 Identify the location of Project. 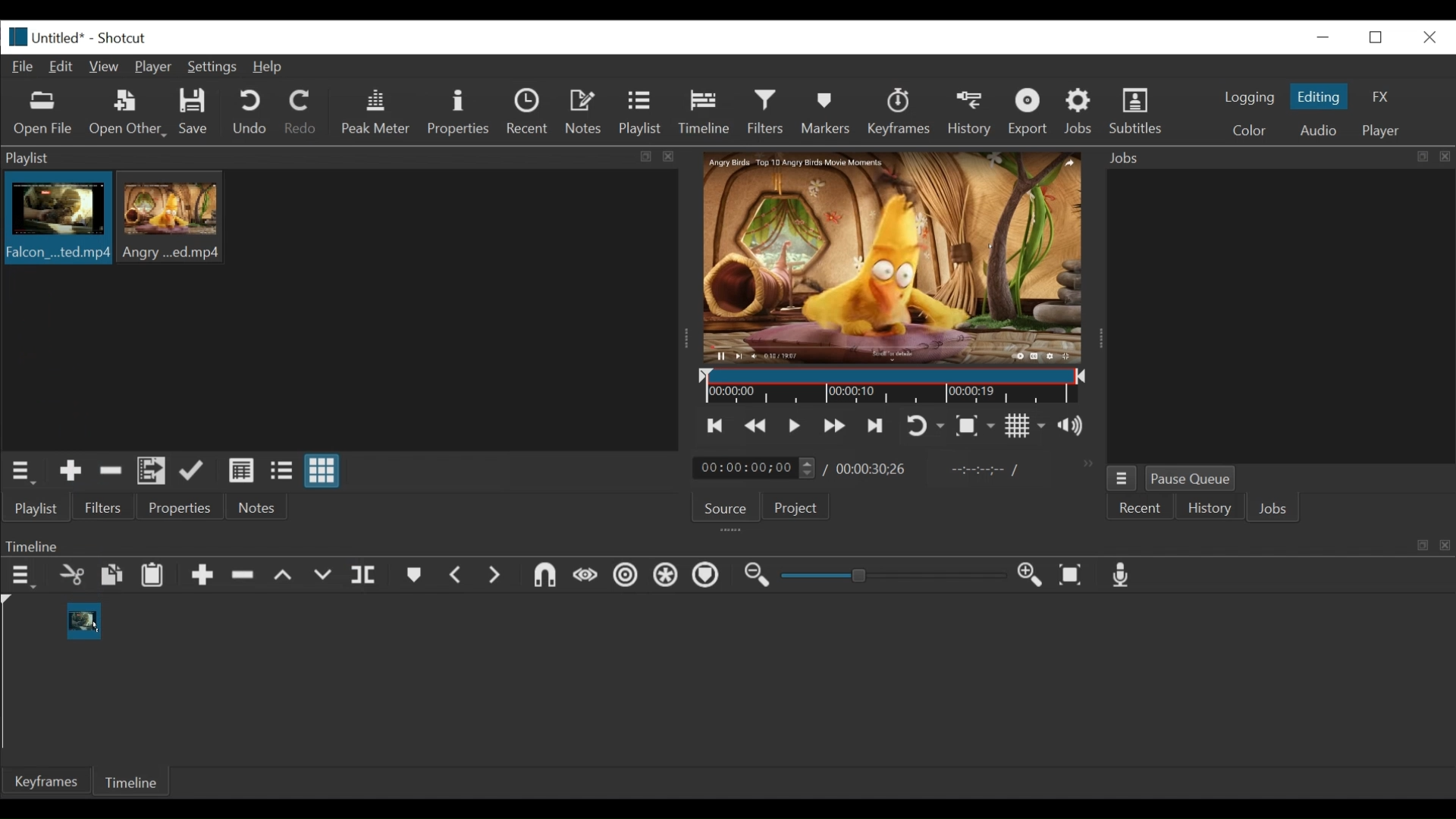
(793, 510).